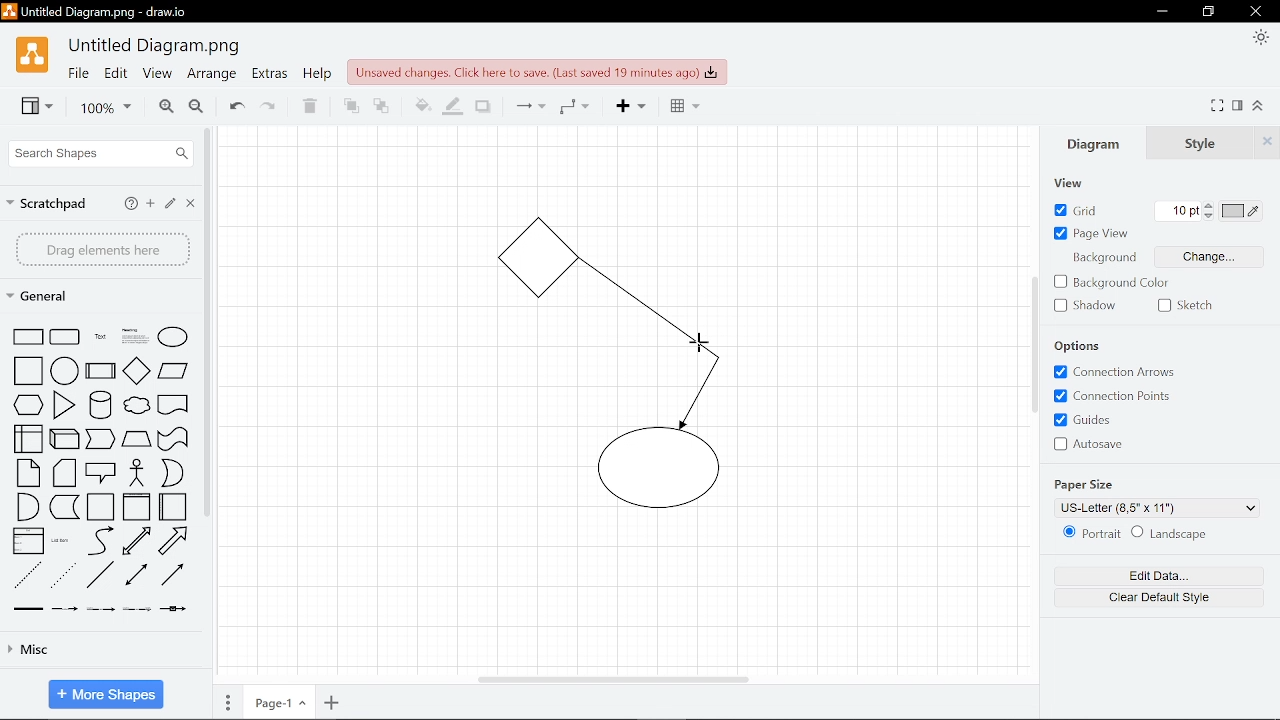 The width and height of the screenshot is (1280, 720). I want to click on Waypoints, so click(574, 108).